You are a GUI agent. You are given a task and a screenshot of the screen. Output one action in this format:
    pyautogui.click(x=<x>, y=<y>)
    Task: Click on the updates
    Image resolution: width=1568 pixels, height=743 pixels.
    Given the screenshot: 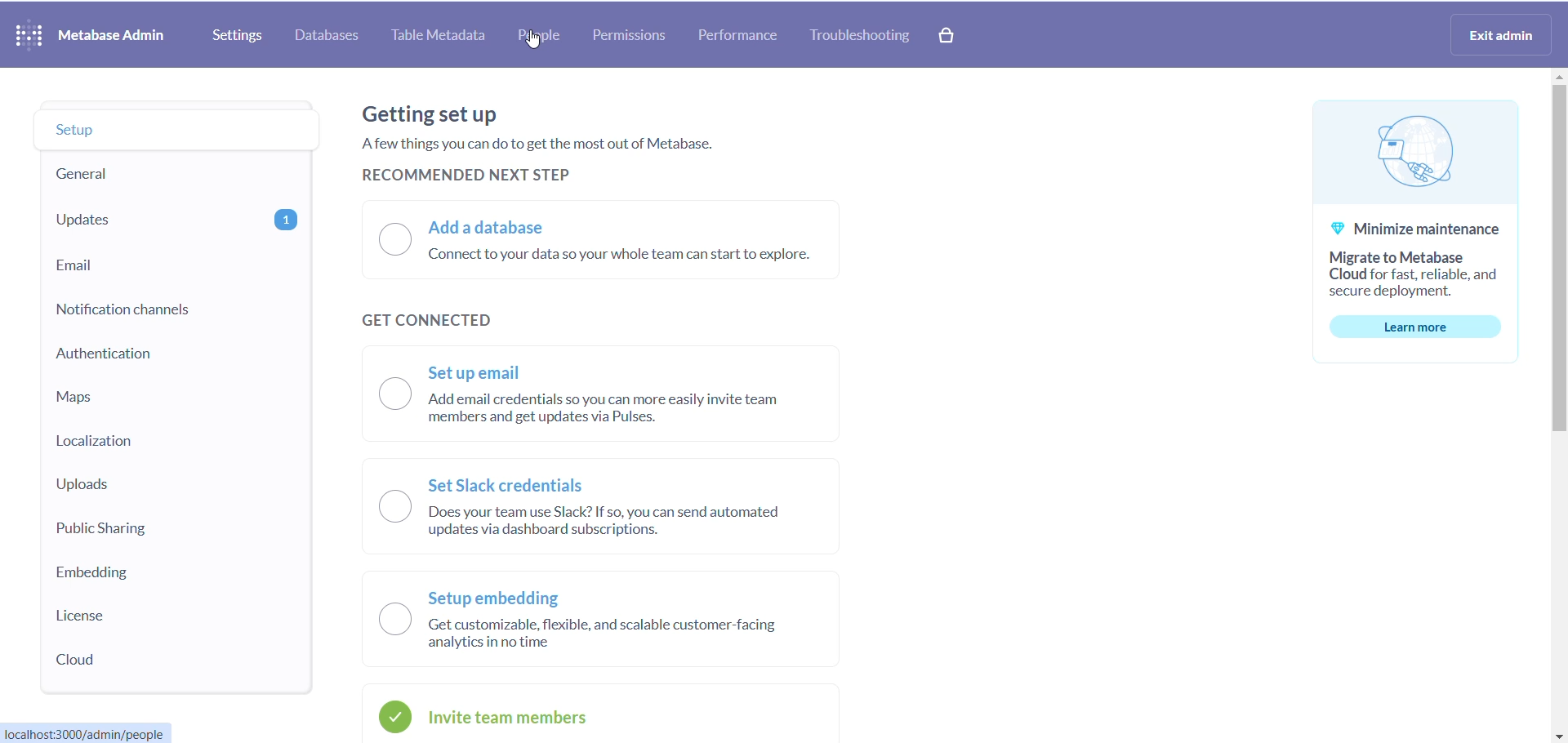 What is the action you would take?
    pyautogui.click(x=173, y=220)
    